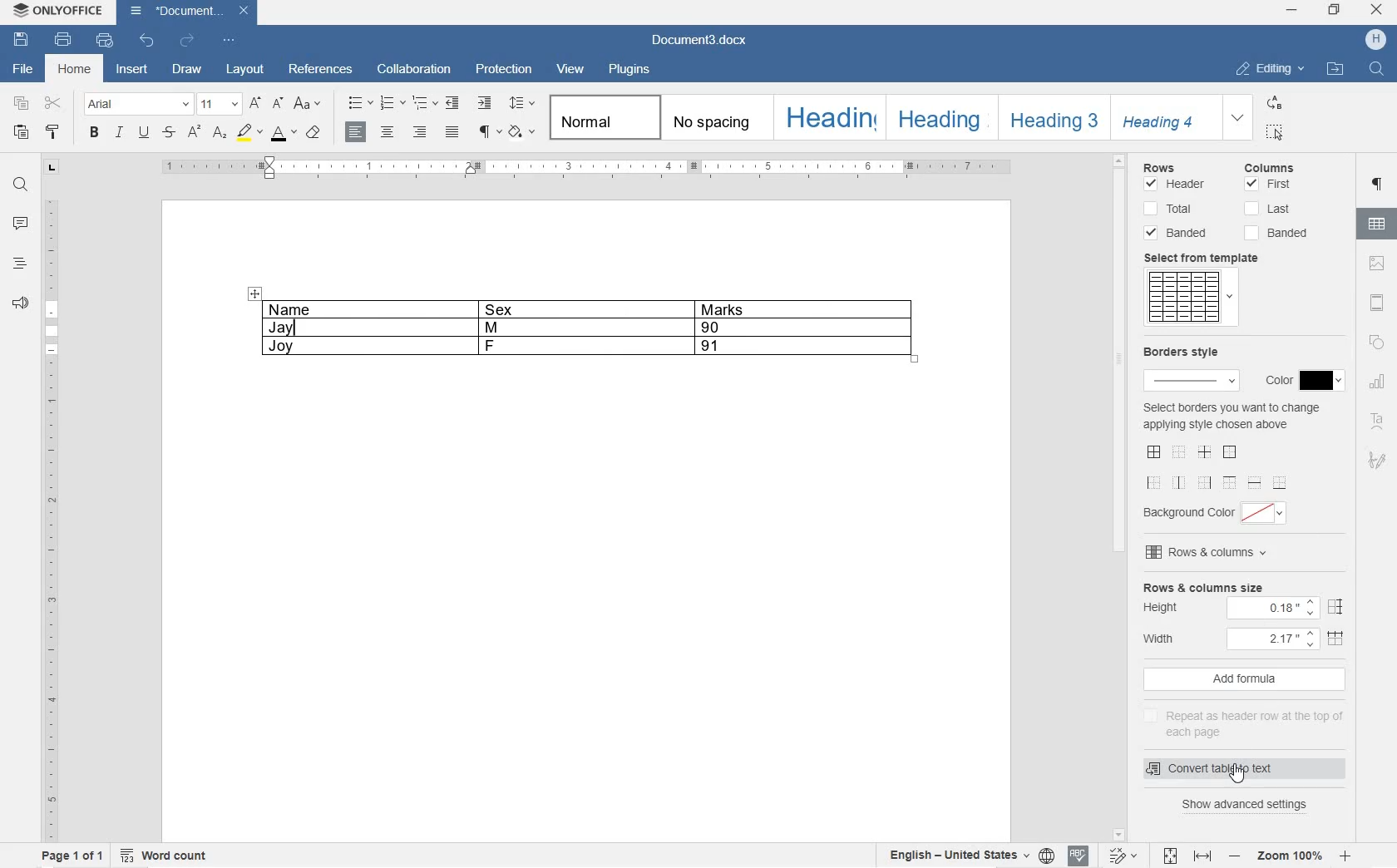  Describe the element at coordinates (19, 224) in the screenshot. I see `COMMENT` at that location.